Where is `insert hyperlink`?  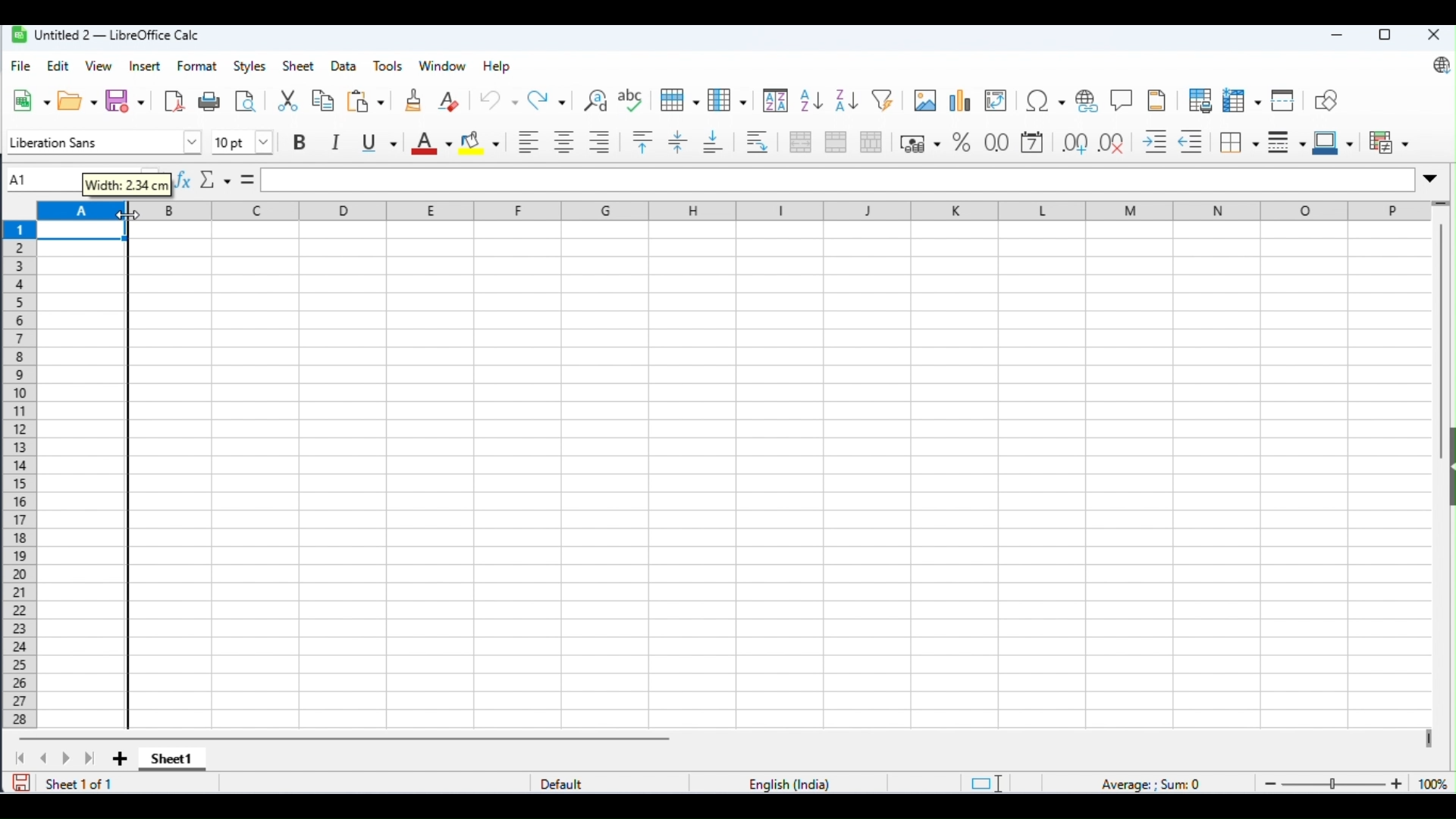
insert hyperlink is located at coordinates (1122, 99).